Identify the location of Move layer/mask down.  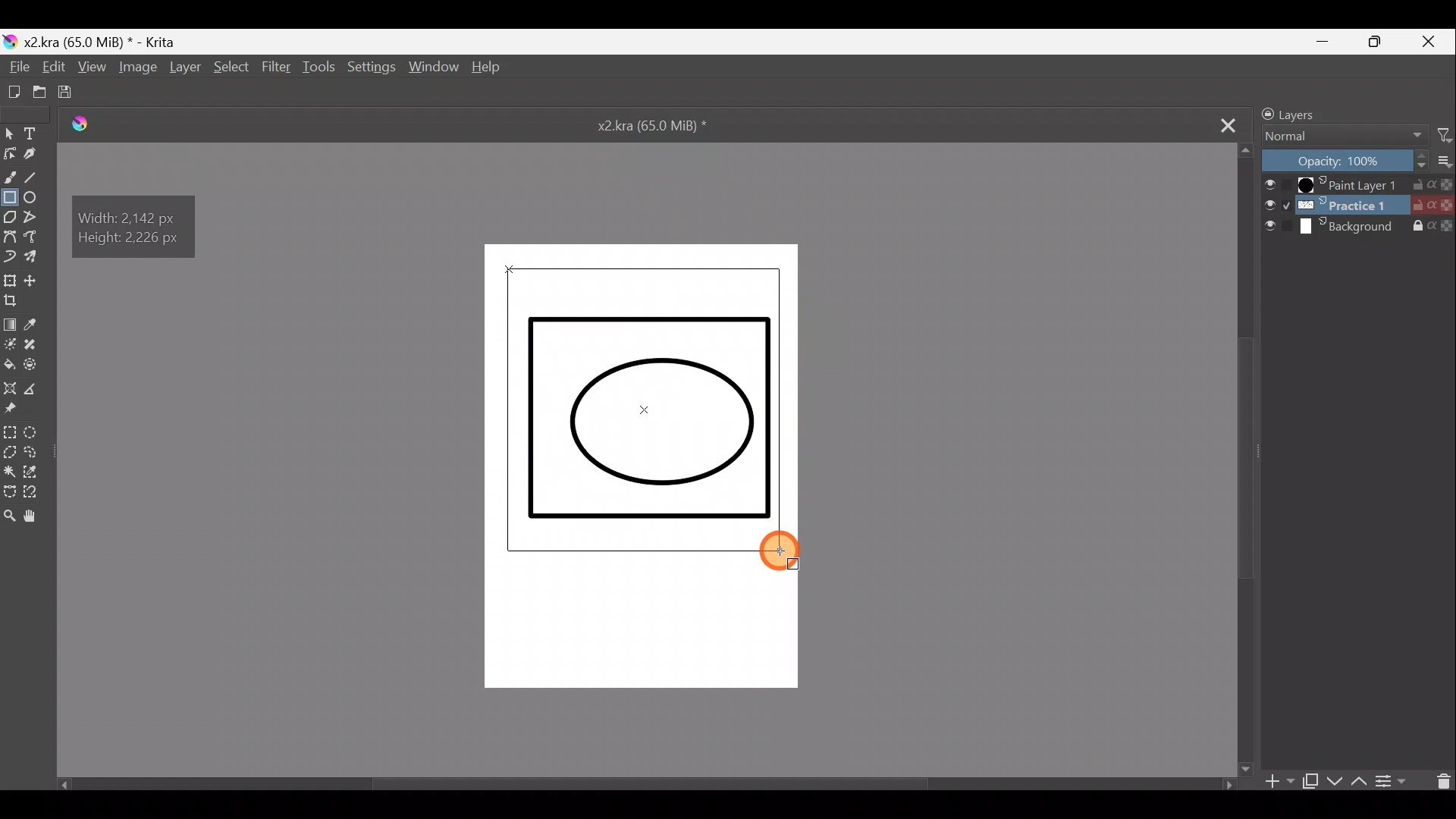
(1335, 783).